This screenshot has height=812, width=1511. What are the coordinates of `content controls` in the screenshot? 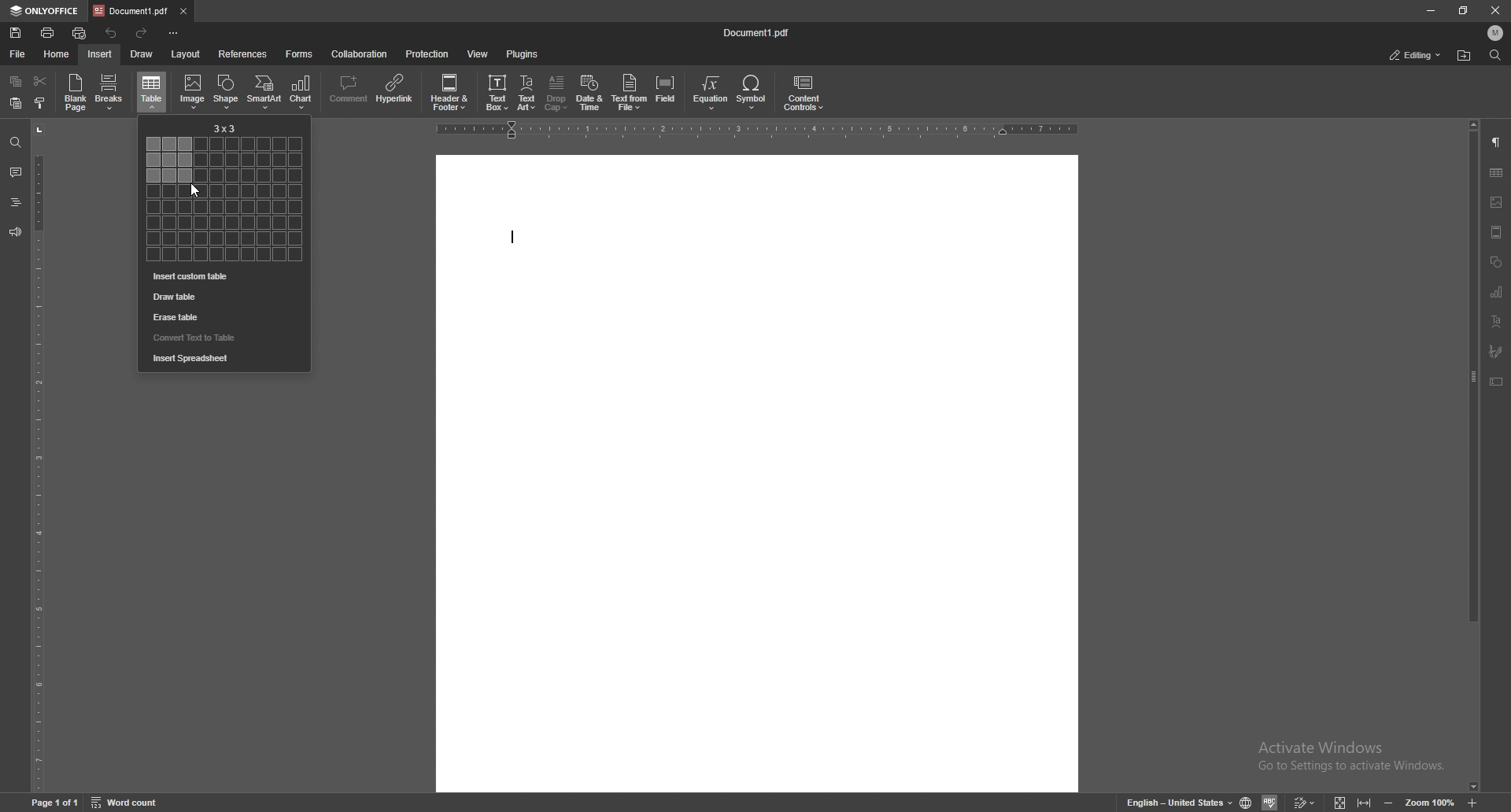 It's located at (805, 94).